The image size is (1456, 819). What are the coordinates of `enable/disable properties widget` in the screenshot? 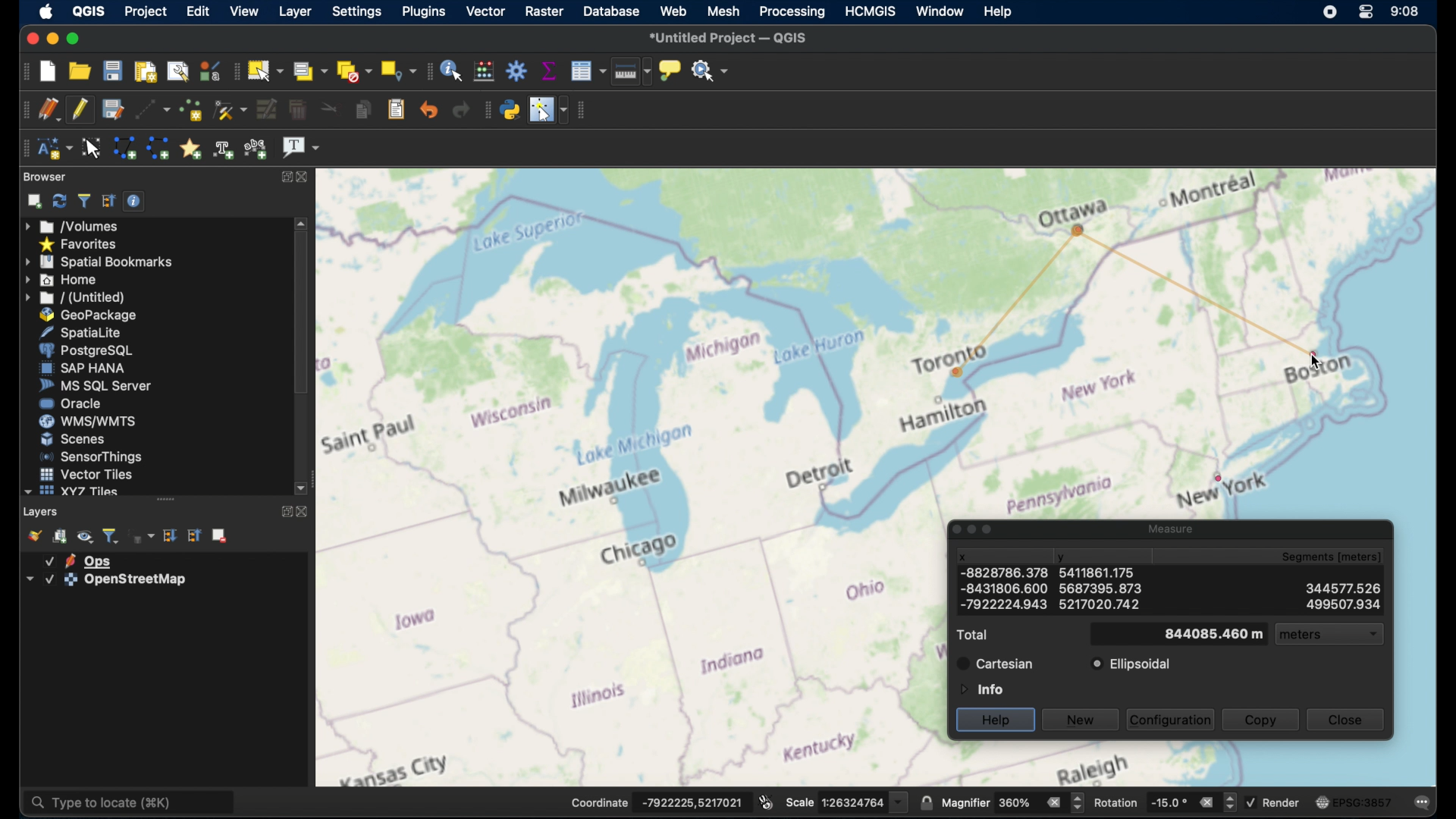 It's located at (134, 200).